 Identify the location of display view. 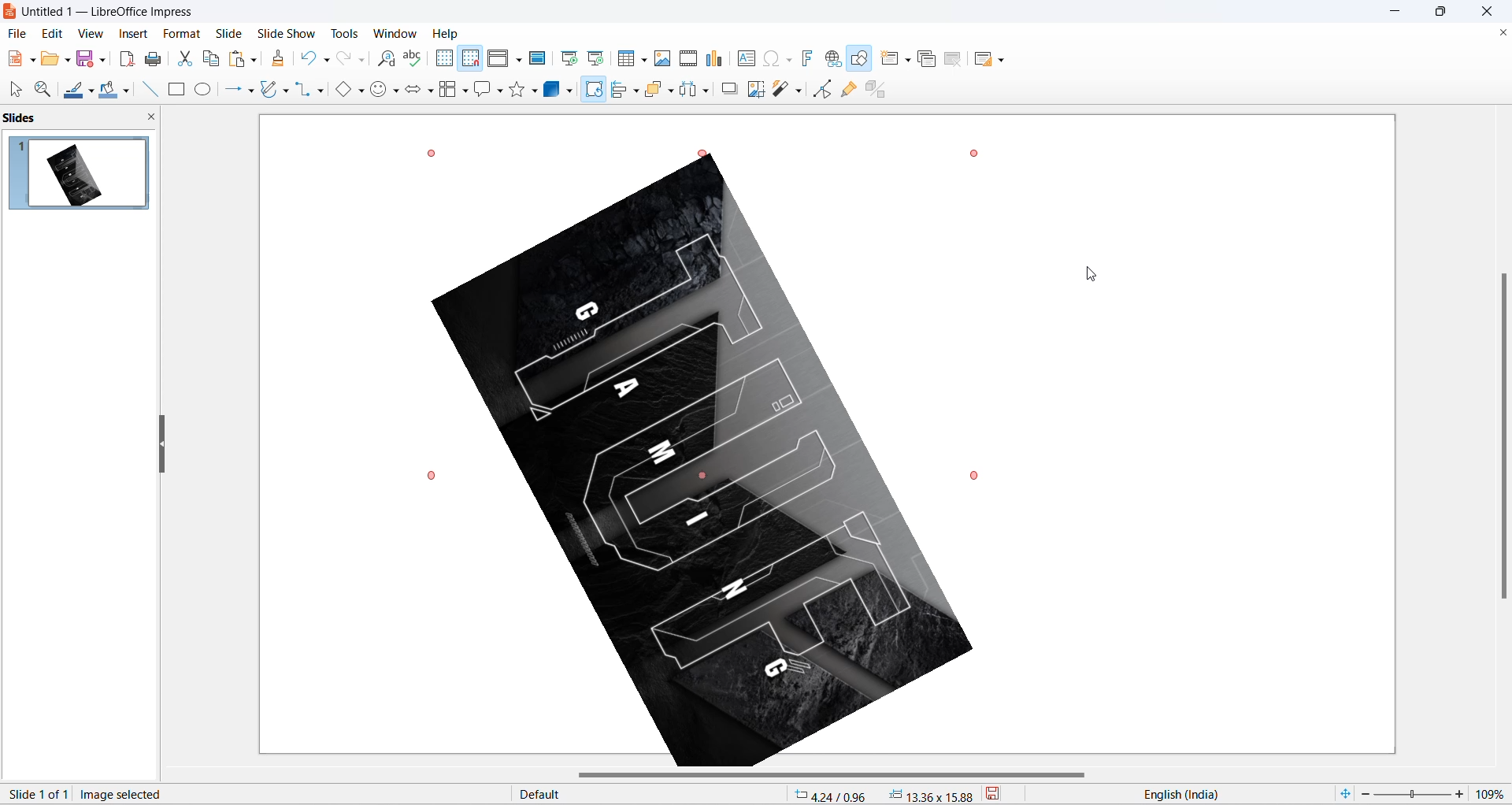
(499, 59).